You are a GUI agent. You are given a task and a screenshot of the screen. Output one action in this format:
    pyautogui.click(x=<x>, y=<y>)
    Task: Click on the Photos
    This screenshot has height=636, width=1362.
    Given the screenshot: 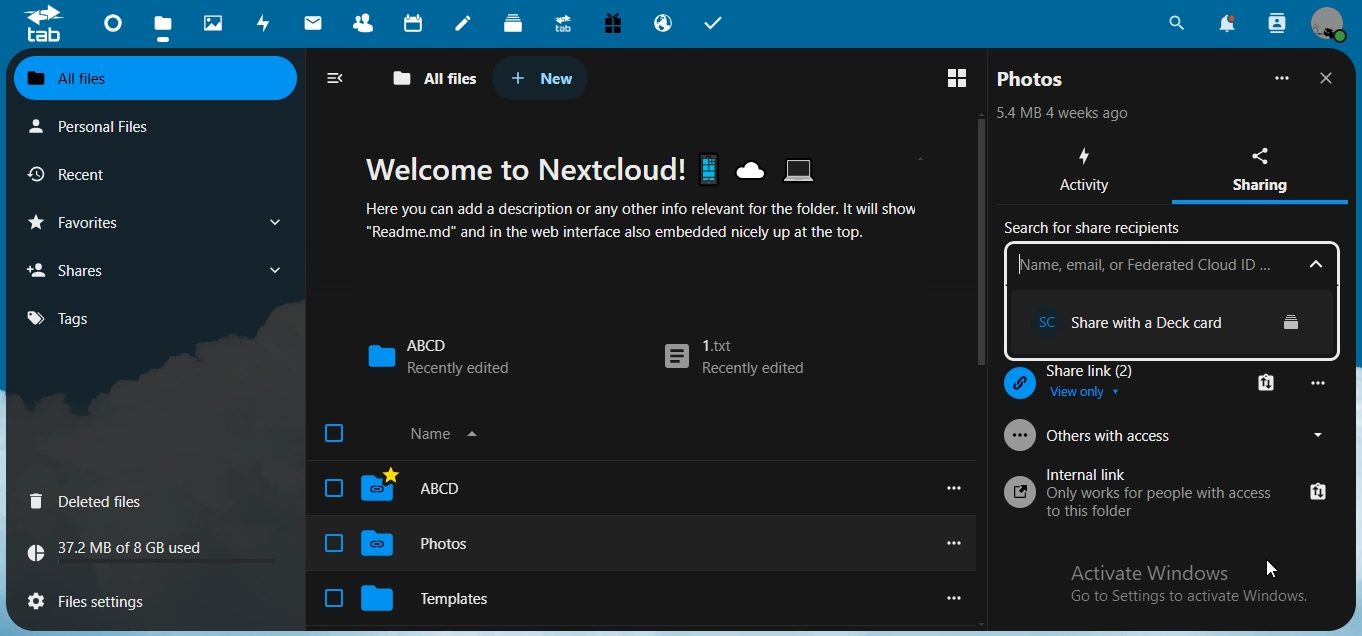 What is the action you would take?
    pyautogui.click(x=398, y=545)
    